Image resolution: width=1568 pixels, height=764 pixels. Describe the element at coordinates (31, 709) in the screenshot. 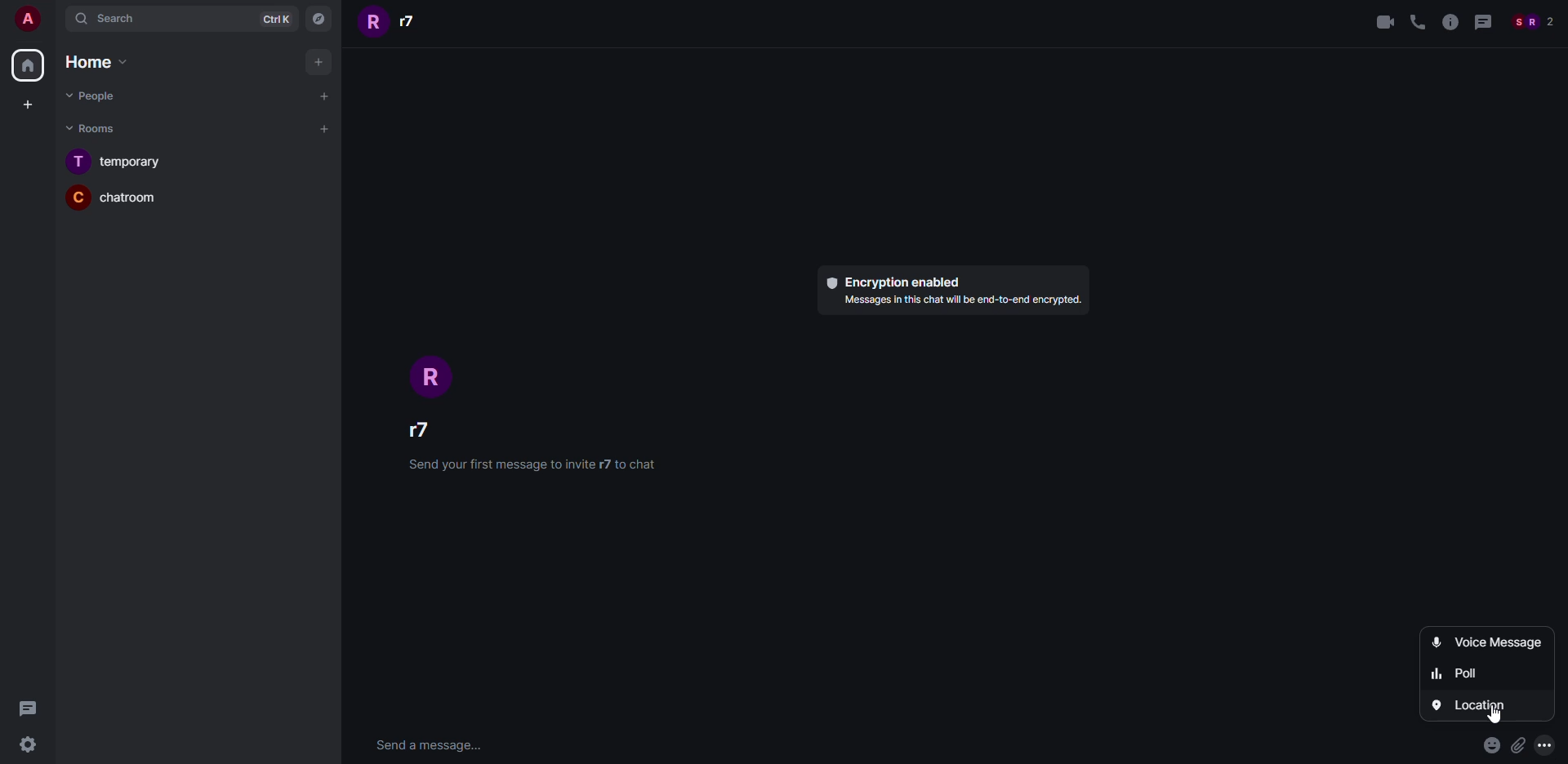

I see `Message` at that location.